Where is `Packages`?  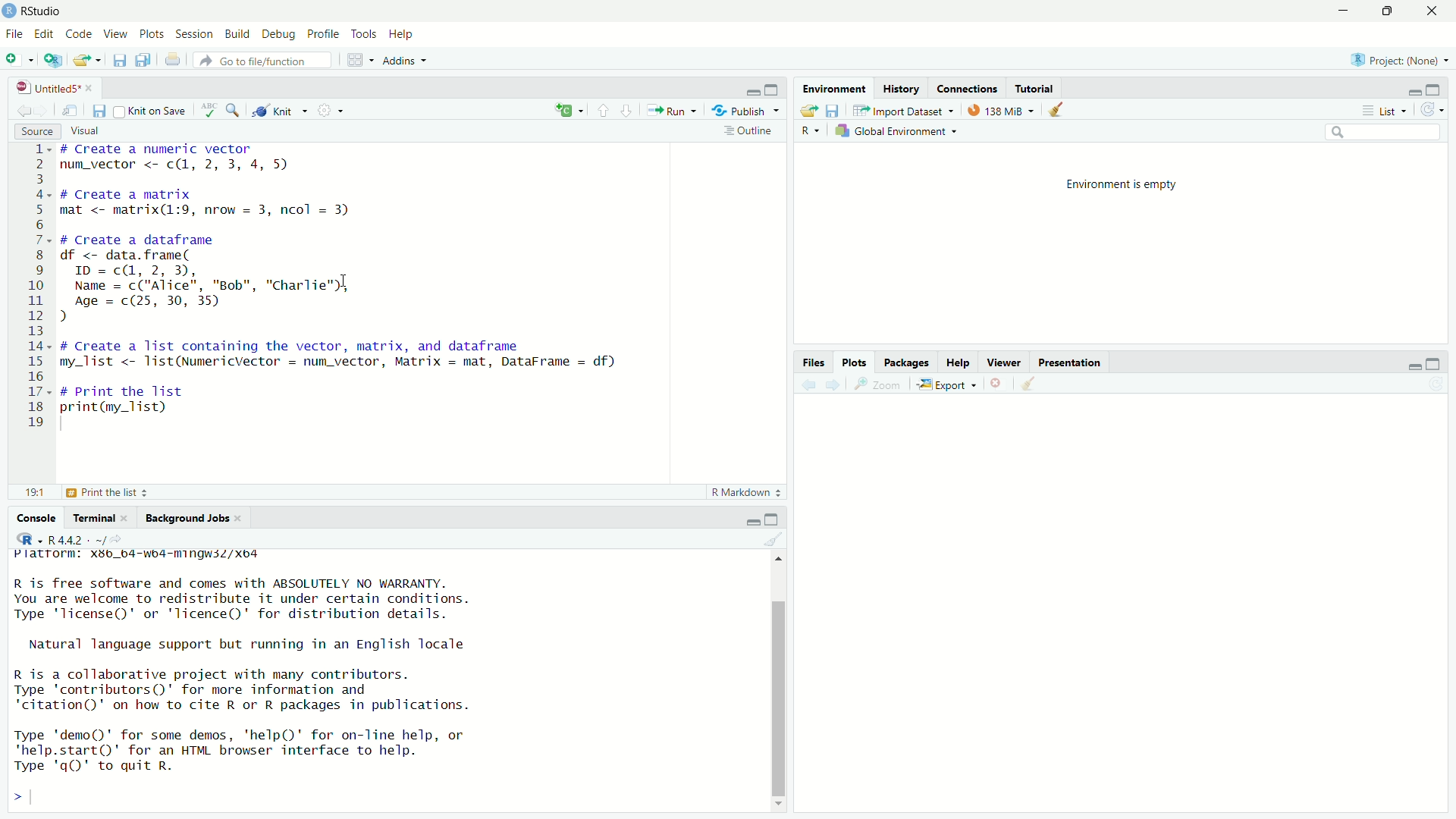
Packages is located at coordinates (907, 363).